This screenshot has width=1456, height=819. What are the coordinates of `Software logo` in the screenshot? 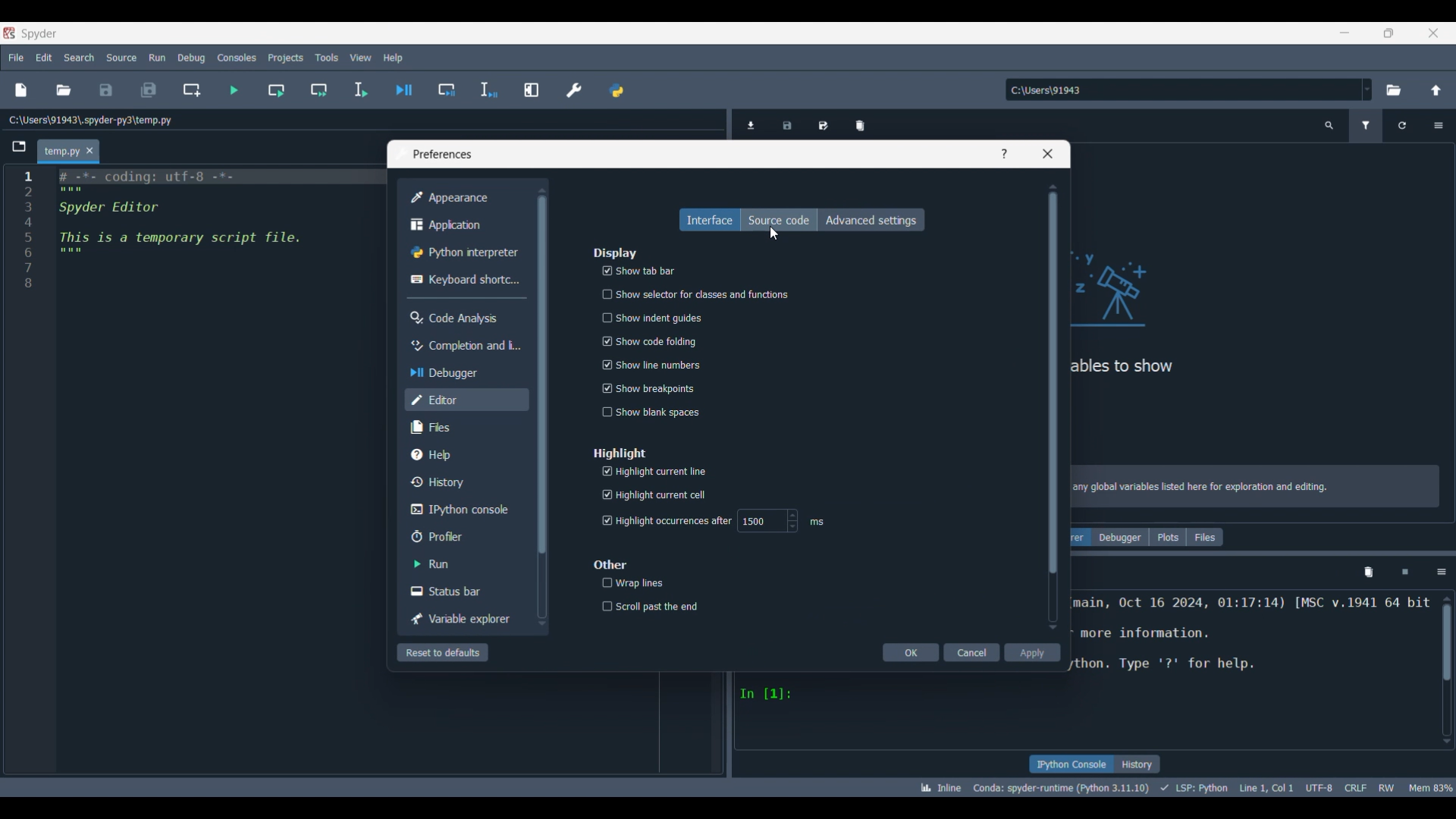 It's located at (9, 33).